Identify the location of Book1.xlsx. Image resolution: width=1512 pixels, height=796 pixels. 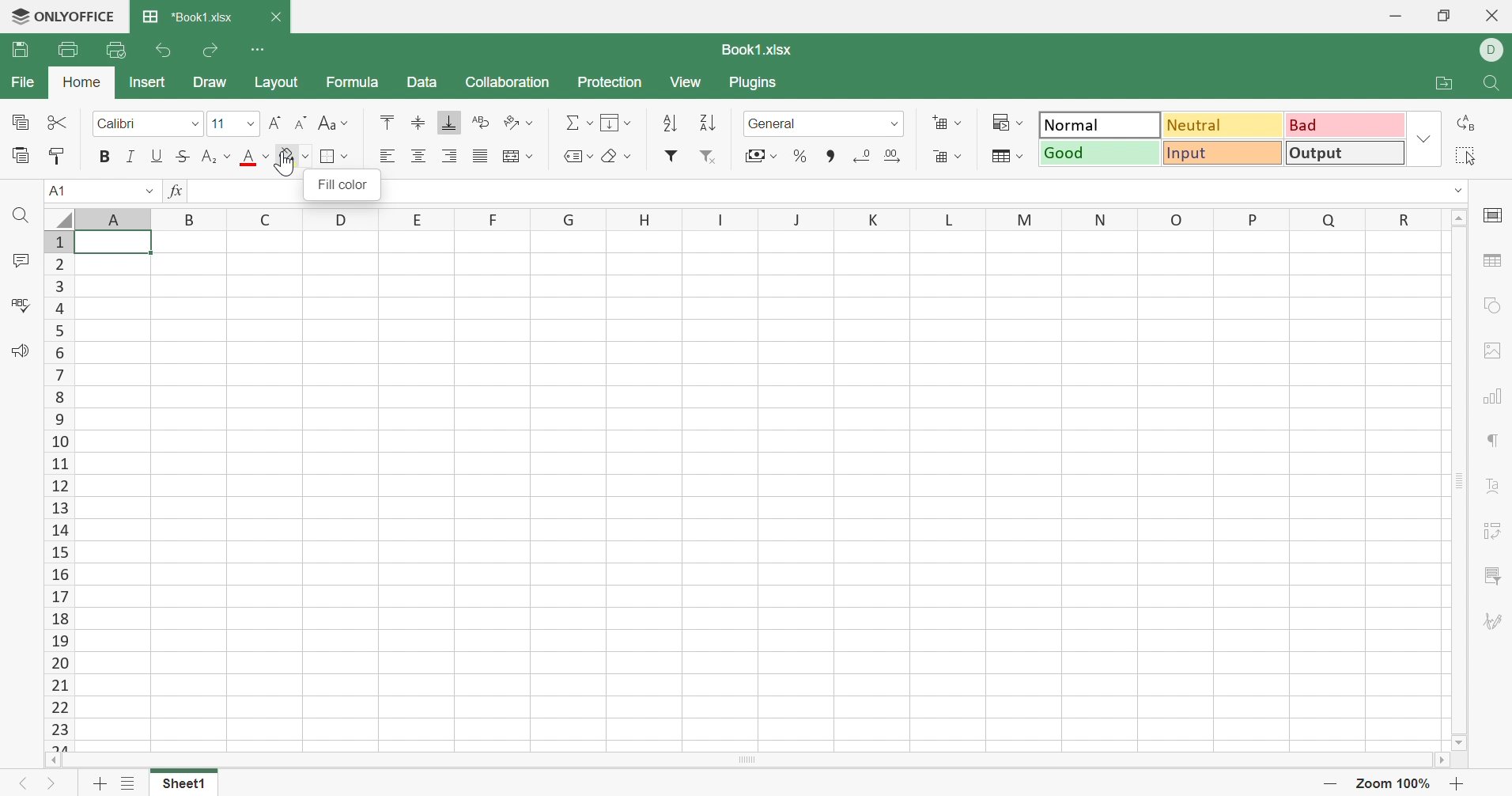
(755, 47).